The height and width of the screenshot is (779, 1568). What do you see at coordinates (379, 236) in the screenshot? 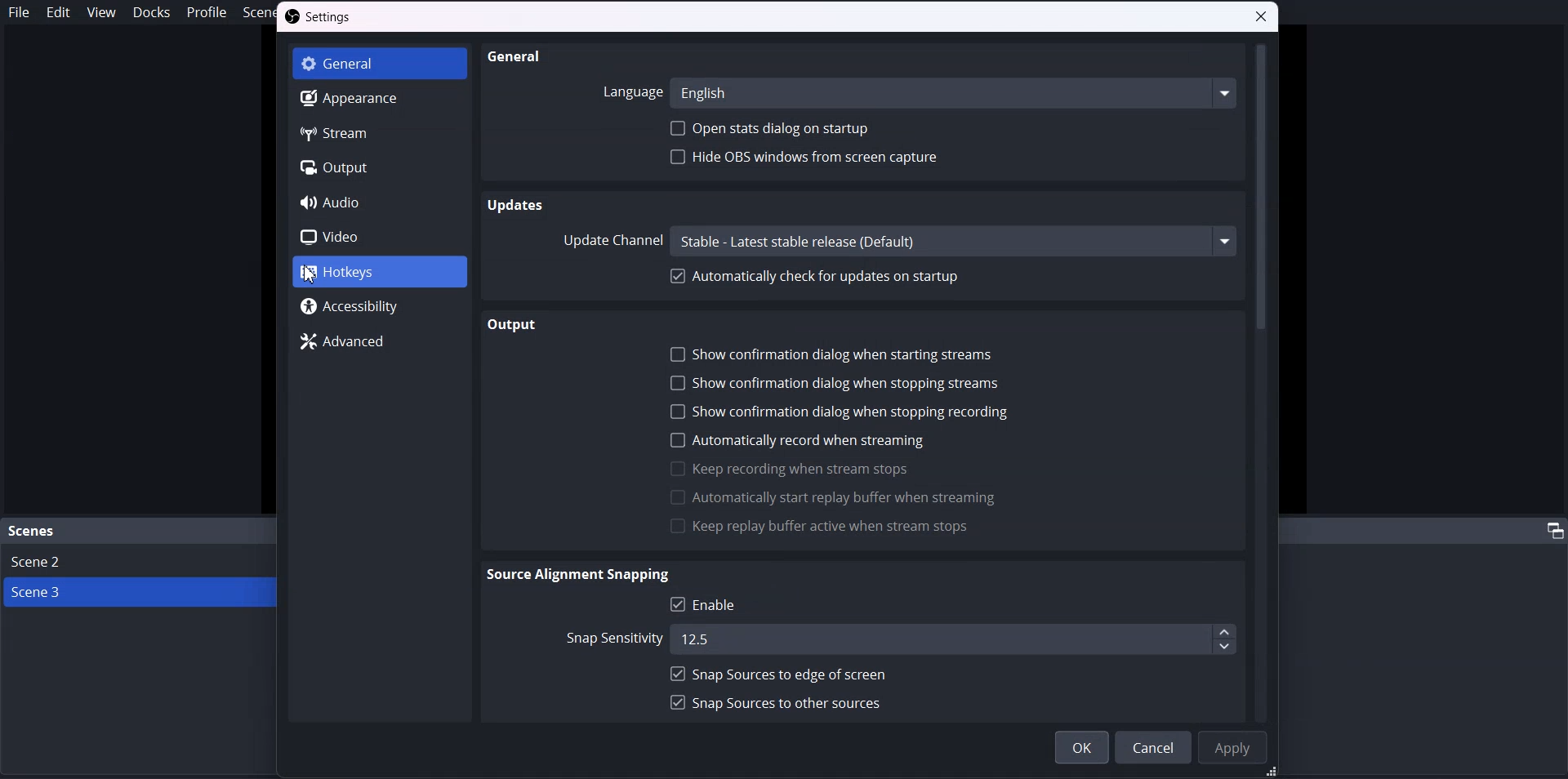
I see `Video` at bounding box center [379, 236].